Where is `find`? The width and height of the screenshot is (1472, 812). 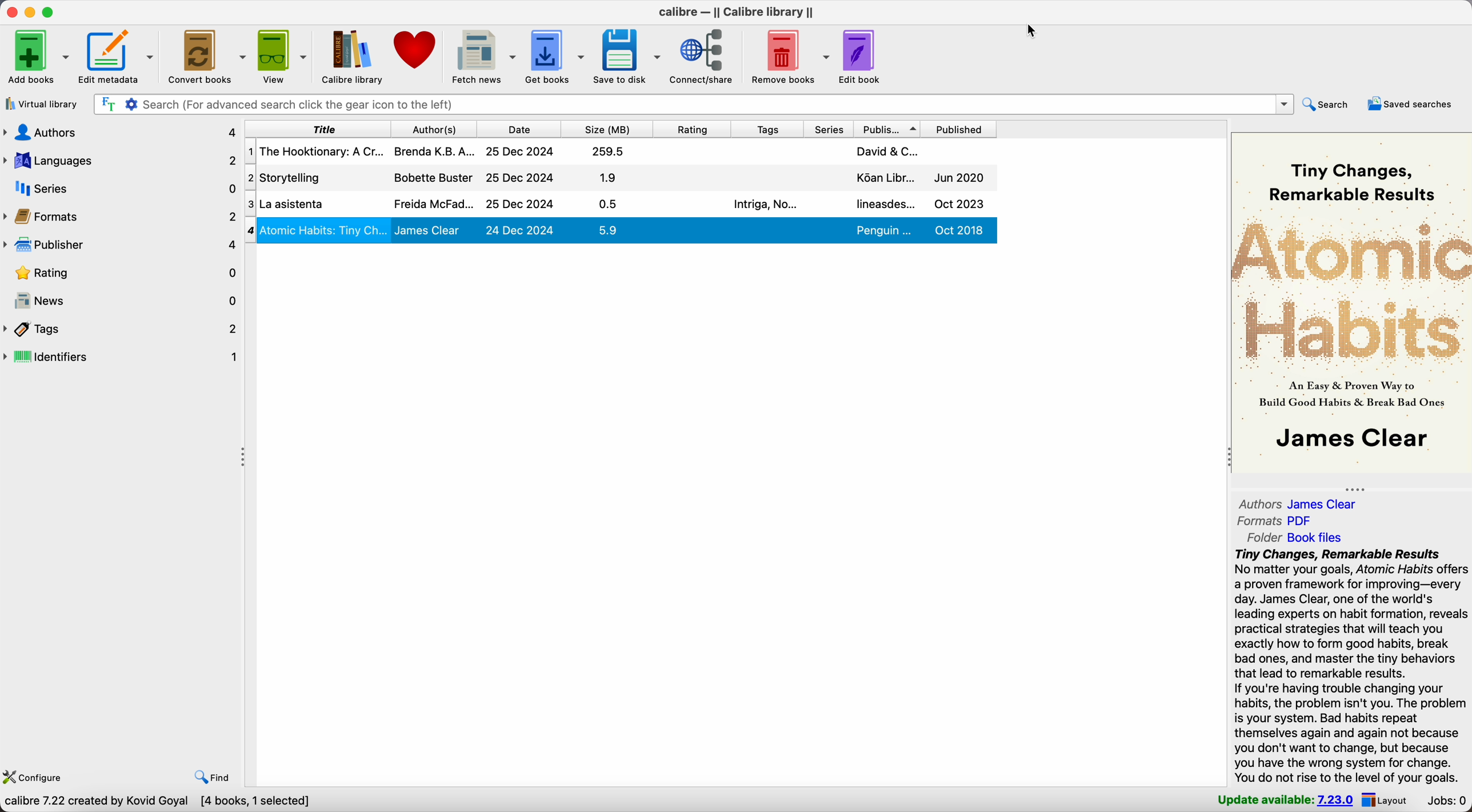
find is located at coordinates (213, 775).